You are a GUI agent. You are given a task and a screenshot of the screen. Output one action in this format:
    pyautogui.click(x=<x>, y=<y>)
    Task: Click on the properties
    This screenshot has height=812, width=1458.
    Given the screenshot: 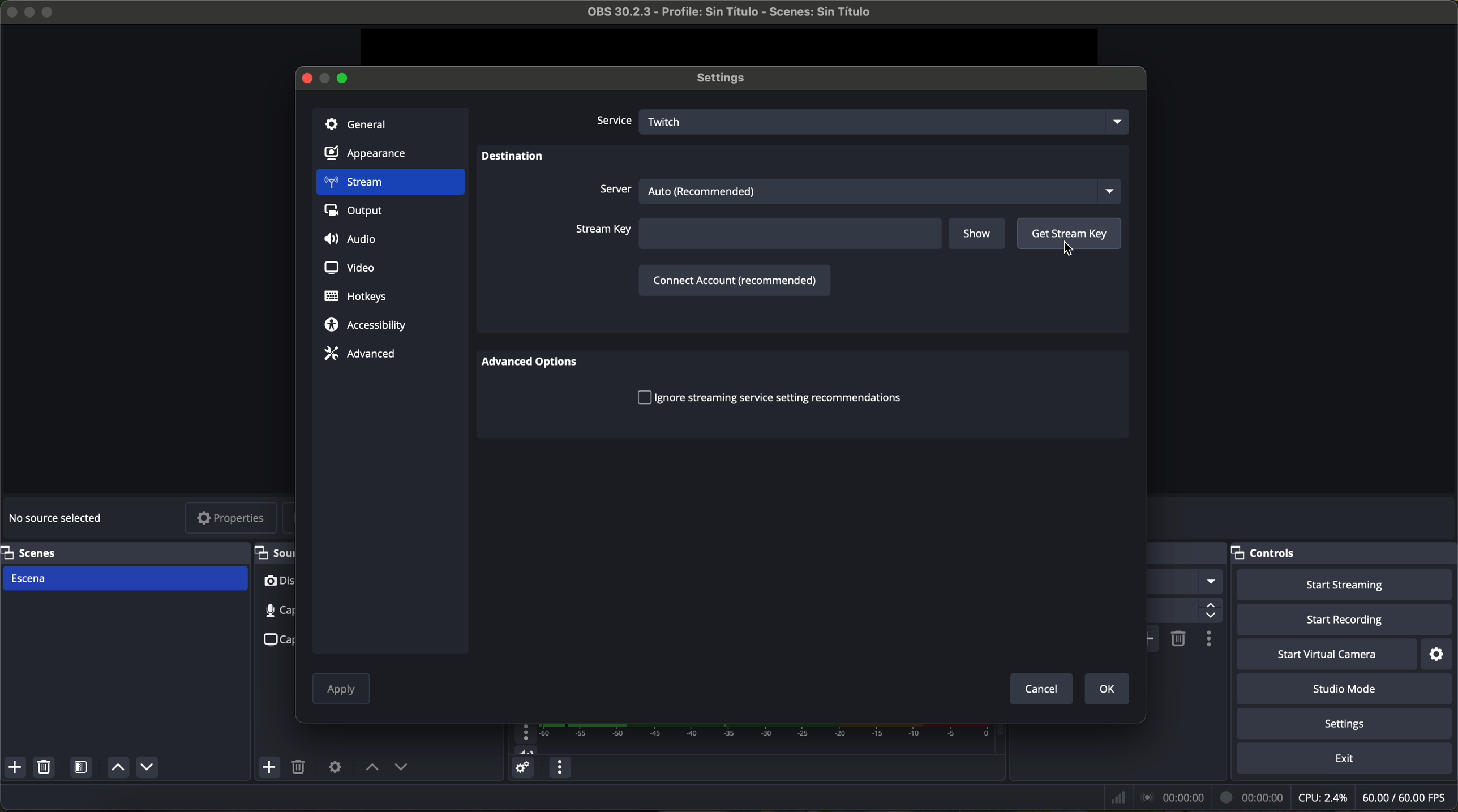 What is the action you would take?
    pyautogui.click(x=231, y=519)
    